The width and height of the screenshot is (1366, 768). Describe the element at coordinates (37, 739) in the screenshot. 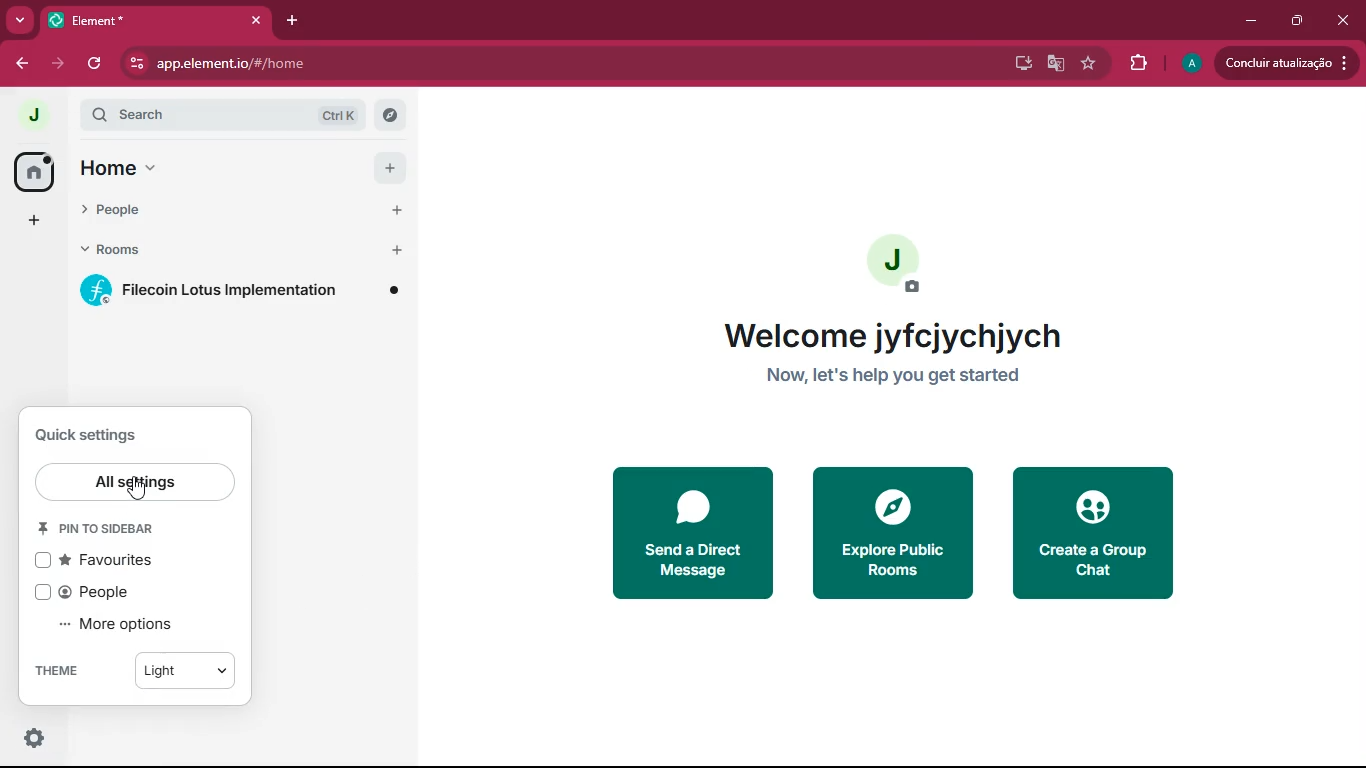

I see `settings` at that location.